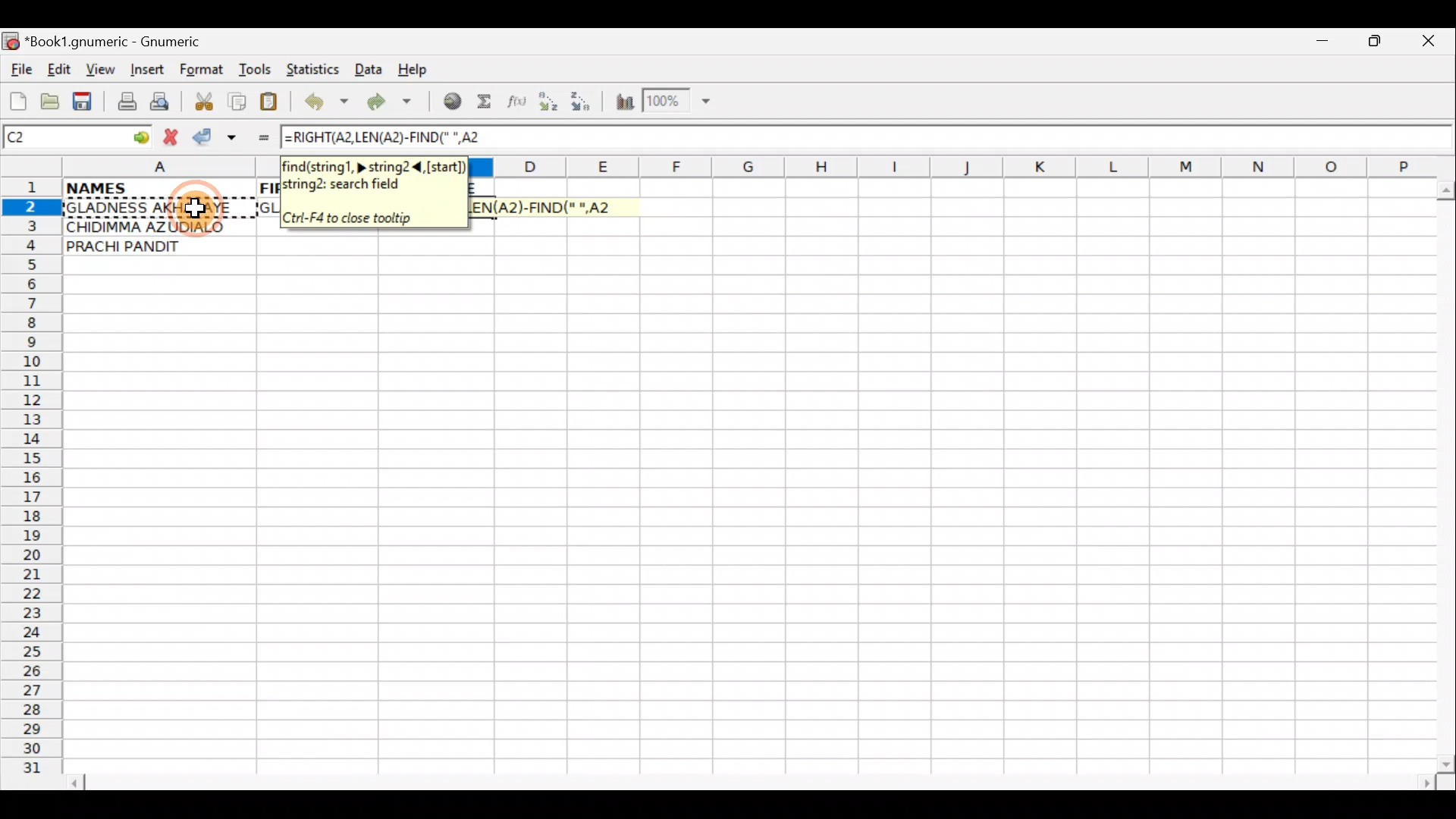 Image resolution: width=1456 pixels, height=819 pixels. I want to click on CHIDIMMA AZUDIALO, so click(150, 225).